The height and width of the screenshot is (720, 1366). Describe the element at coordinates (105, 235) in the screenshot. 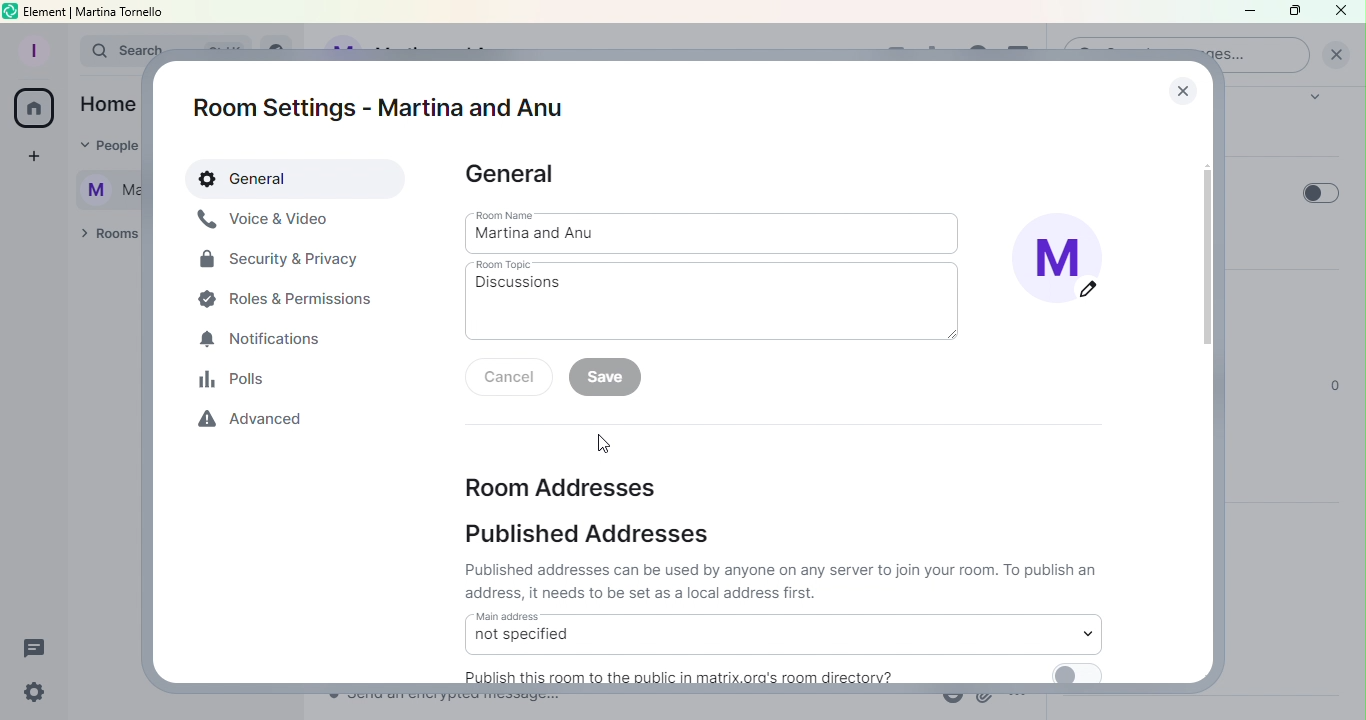

I see `Rooms` at that location.